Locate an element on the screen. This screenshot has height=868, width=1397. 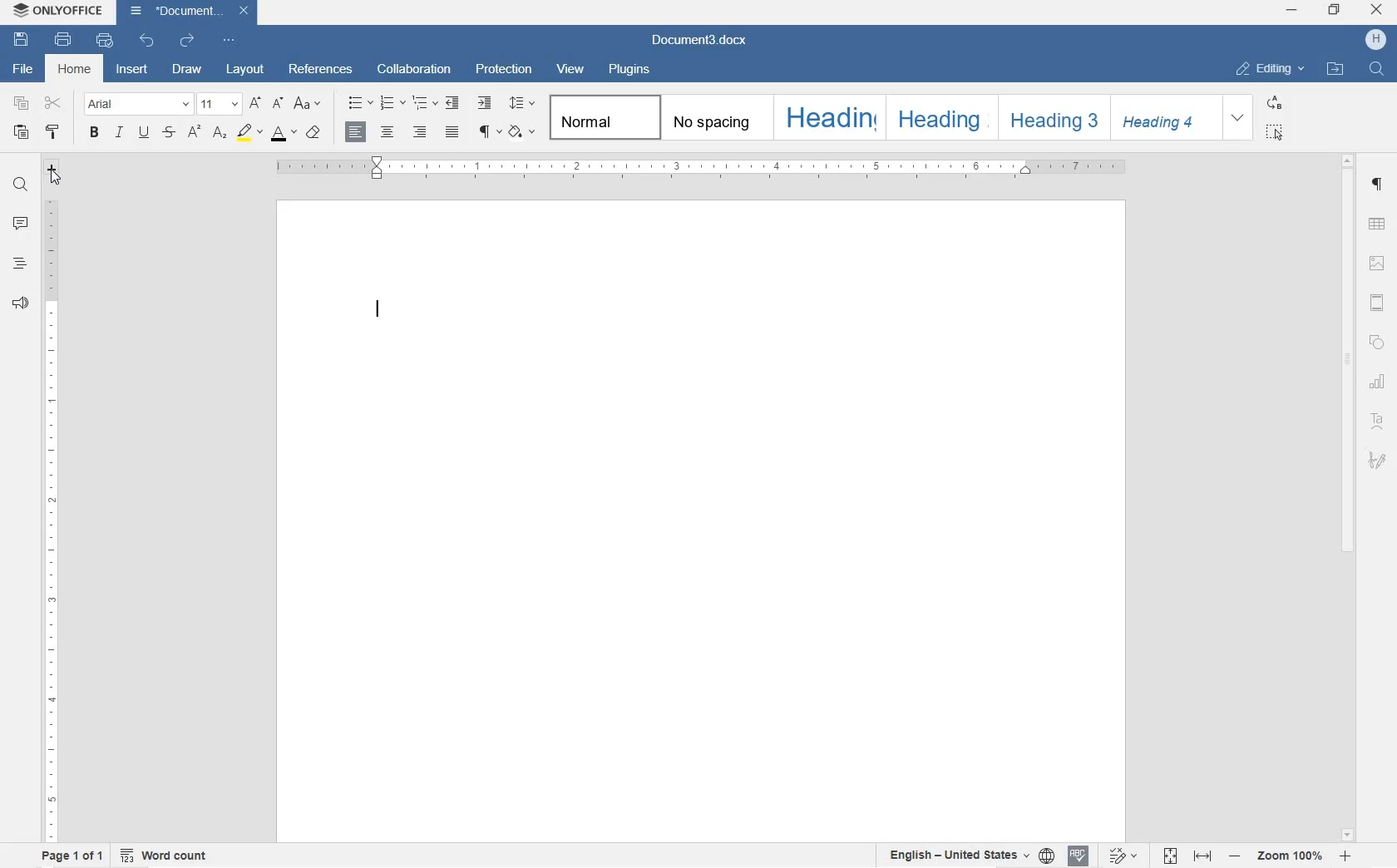
FONT NAME is located at coordinates (140, 105).